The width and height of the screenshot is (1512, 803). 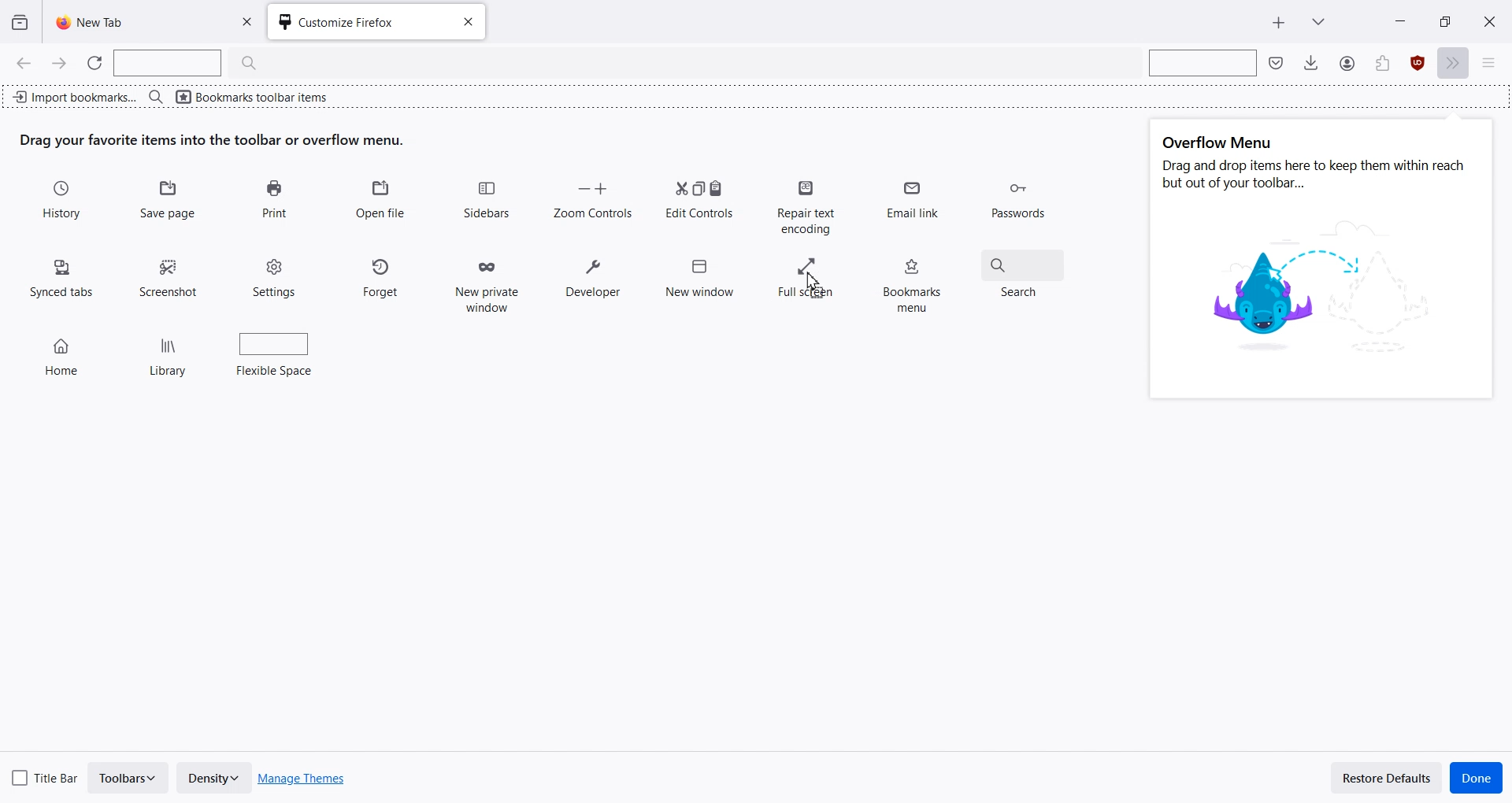 What do you see at coordinates (699, 273) in the screenshot?
I see `New window` at bounding box center [699, 273].